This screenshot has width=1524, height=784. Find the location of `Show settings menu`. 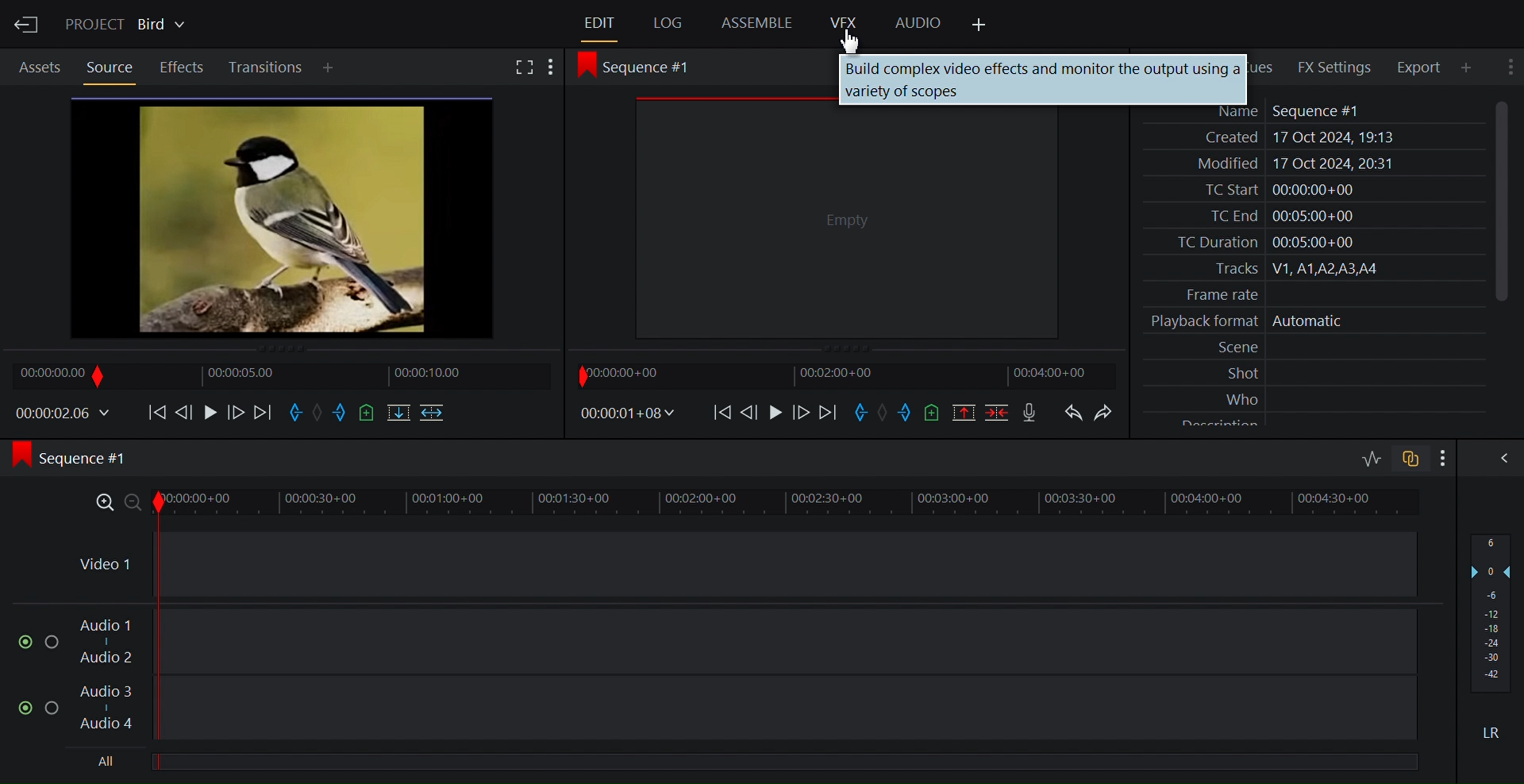

Show settings menu is located at coordinates (1445, 459).